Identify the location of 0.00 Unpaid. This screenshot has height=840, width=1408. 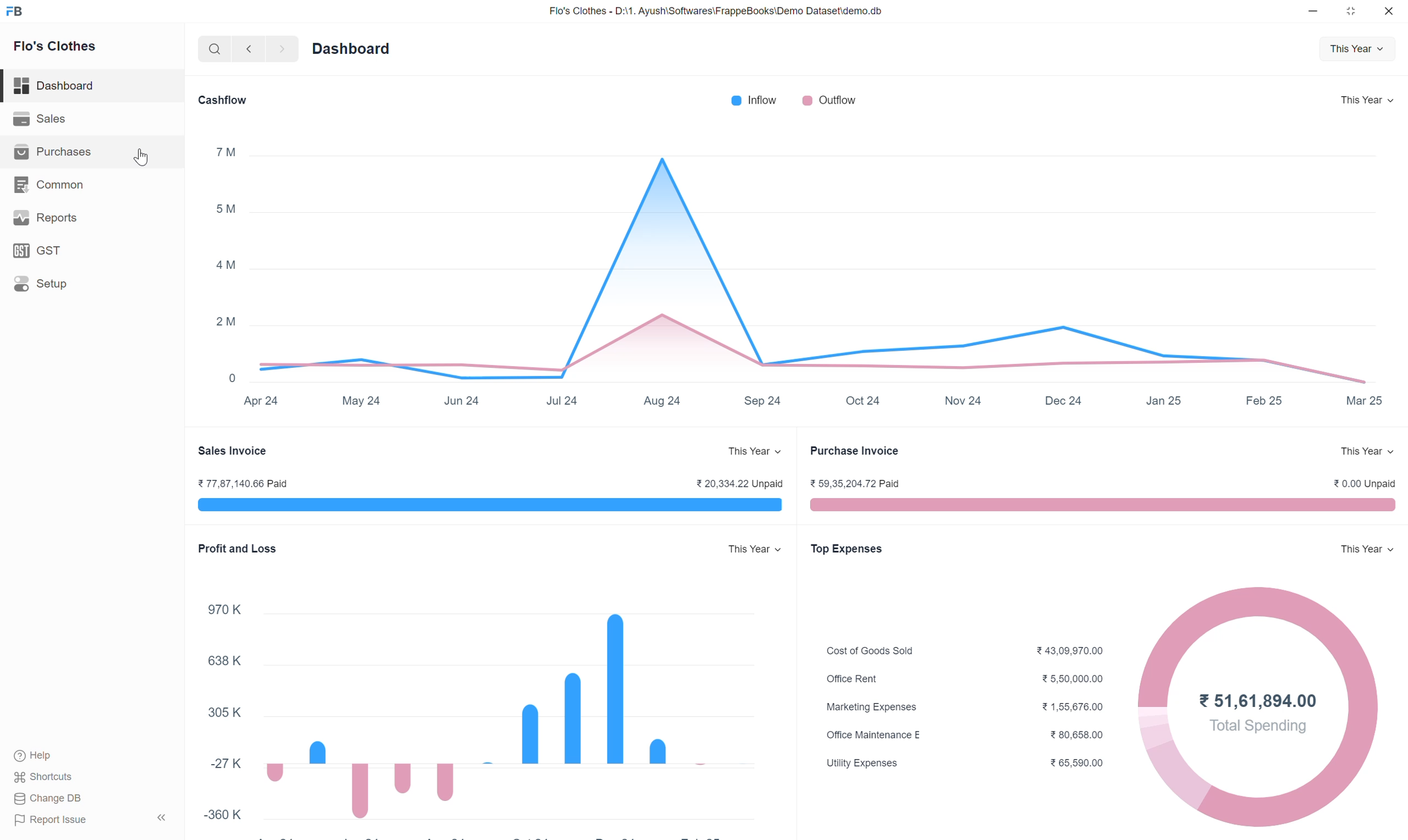
(1366, 483).